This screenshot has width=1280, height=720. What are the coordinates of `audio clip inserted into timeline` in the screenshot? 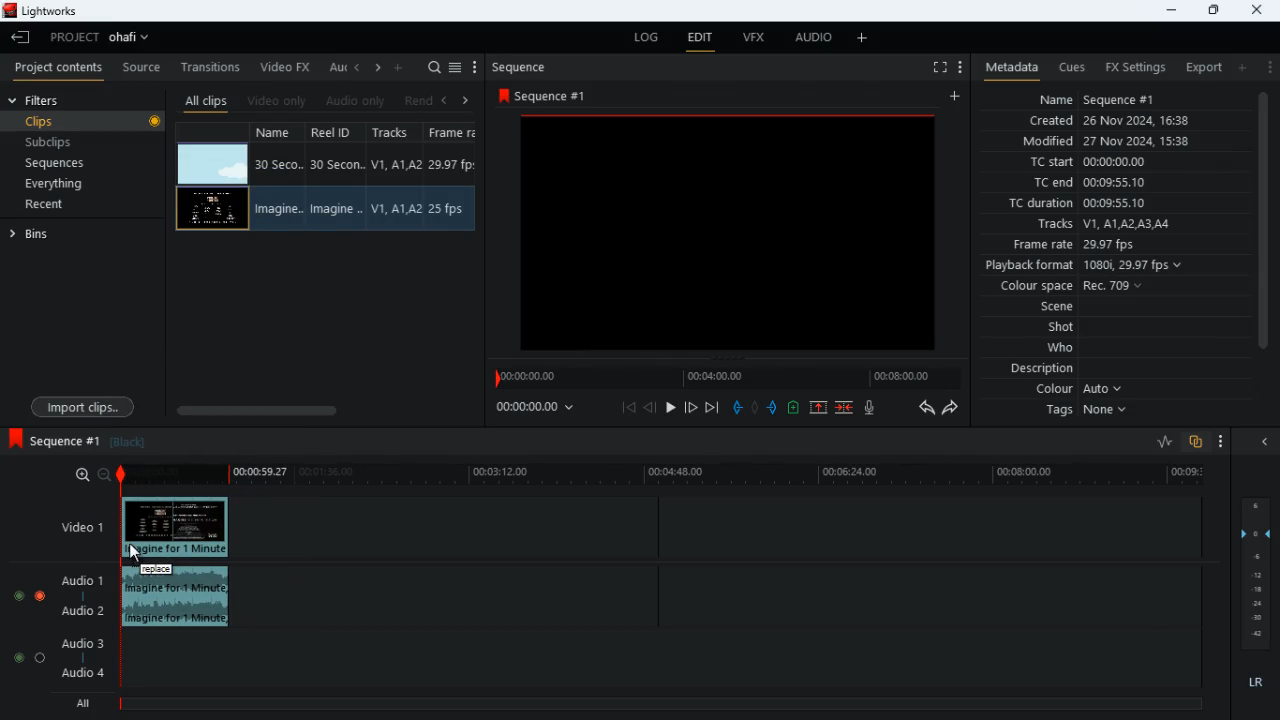 It's located at (179, 599).